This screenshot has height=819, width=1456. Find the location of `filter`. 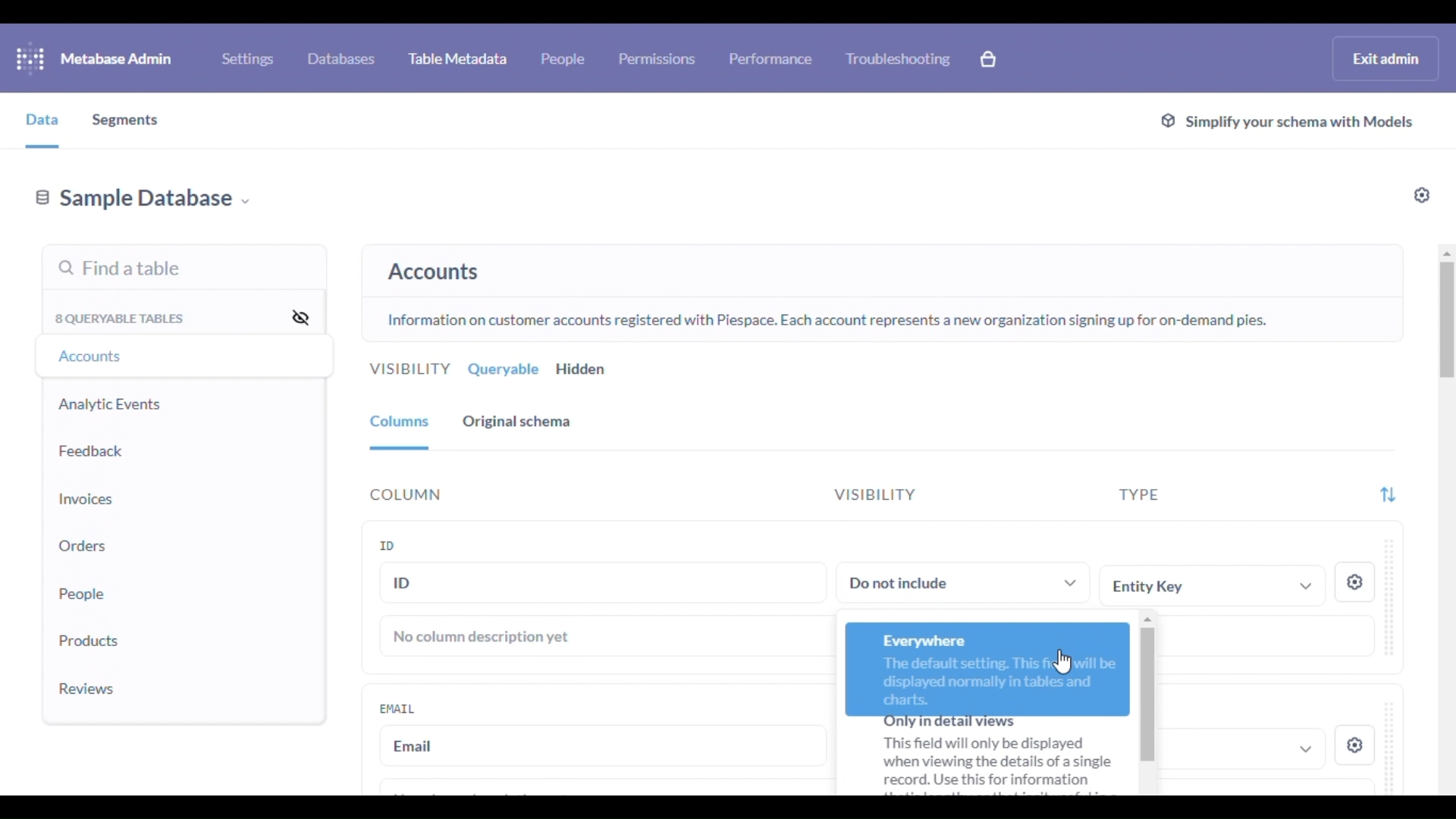

filter is located at coordinates (1388, 496).